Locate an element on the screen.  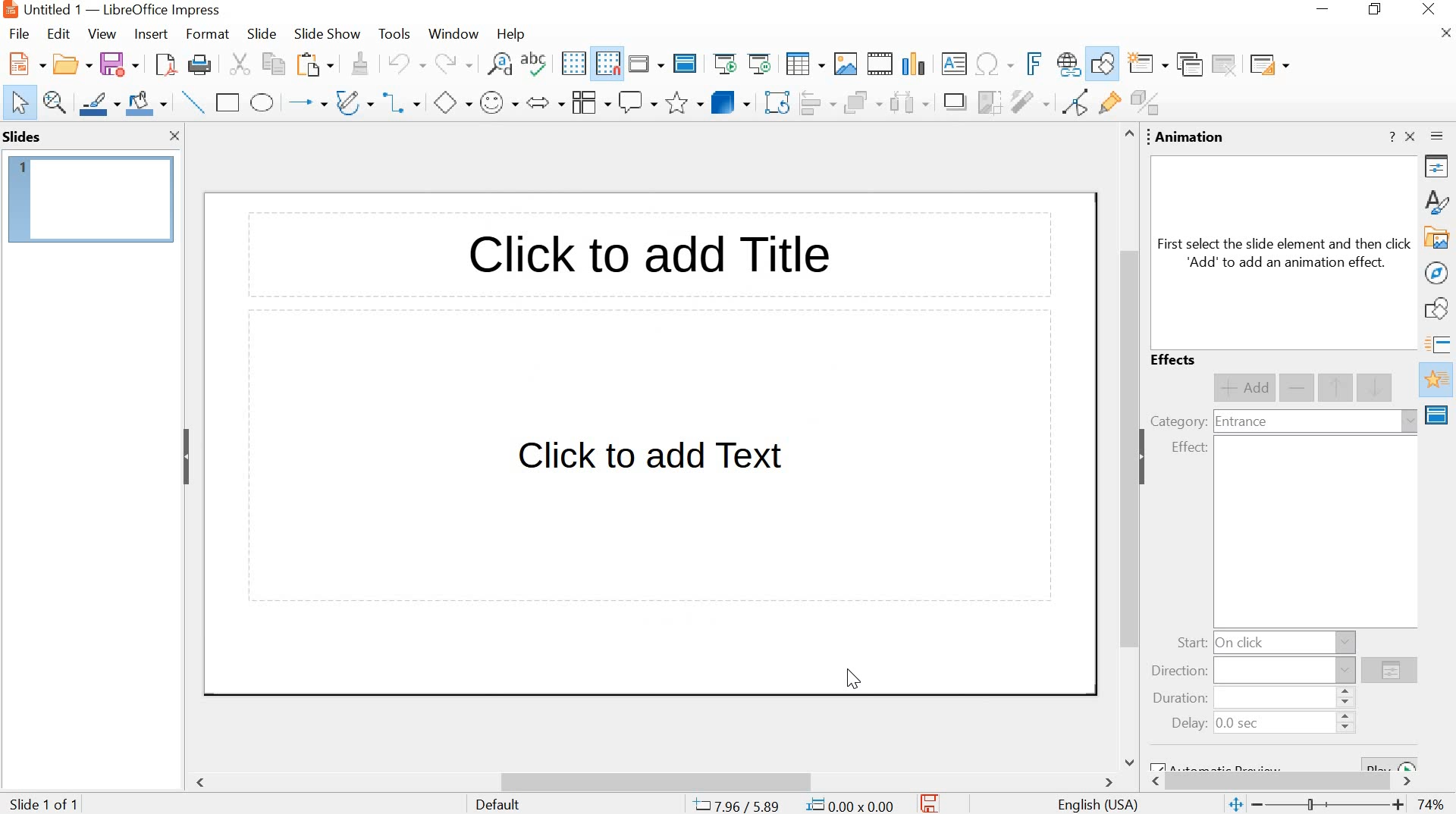
move down is located at coordinates (1376, 387).